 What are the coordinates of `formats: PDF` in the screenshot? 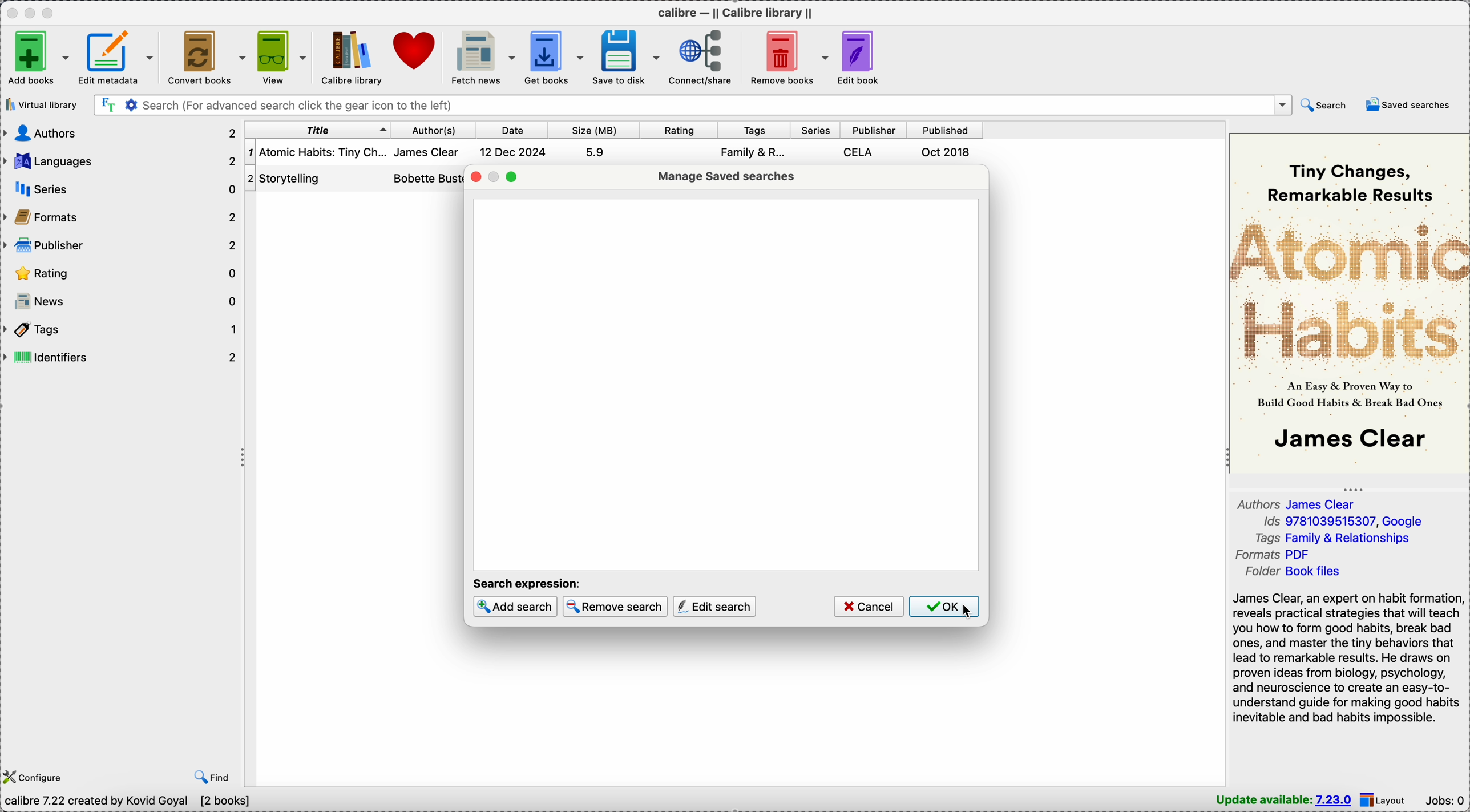 It's located at (1276, 555).